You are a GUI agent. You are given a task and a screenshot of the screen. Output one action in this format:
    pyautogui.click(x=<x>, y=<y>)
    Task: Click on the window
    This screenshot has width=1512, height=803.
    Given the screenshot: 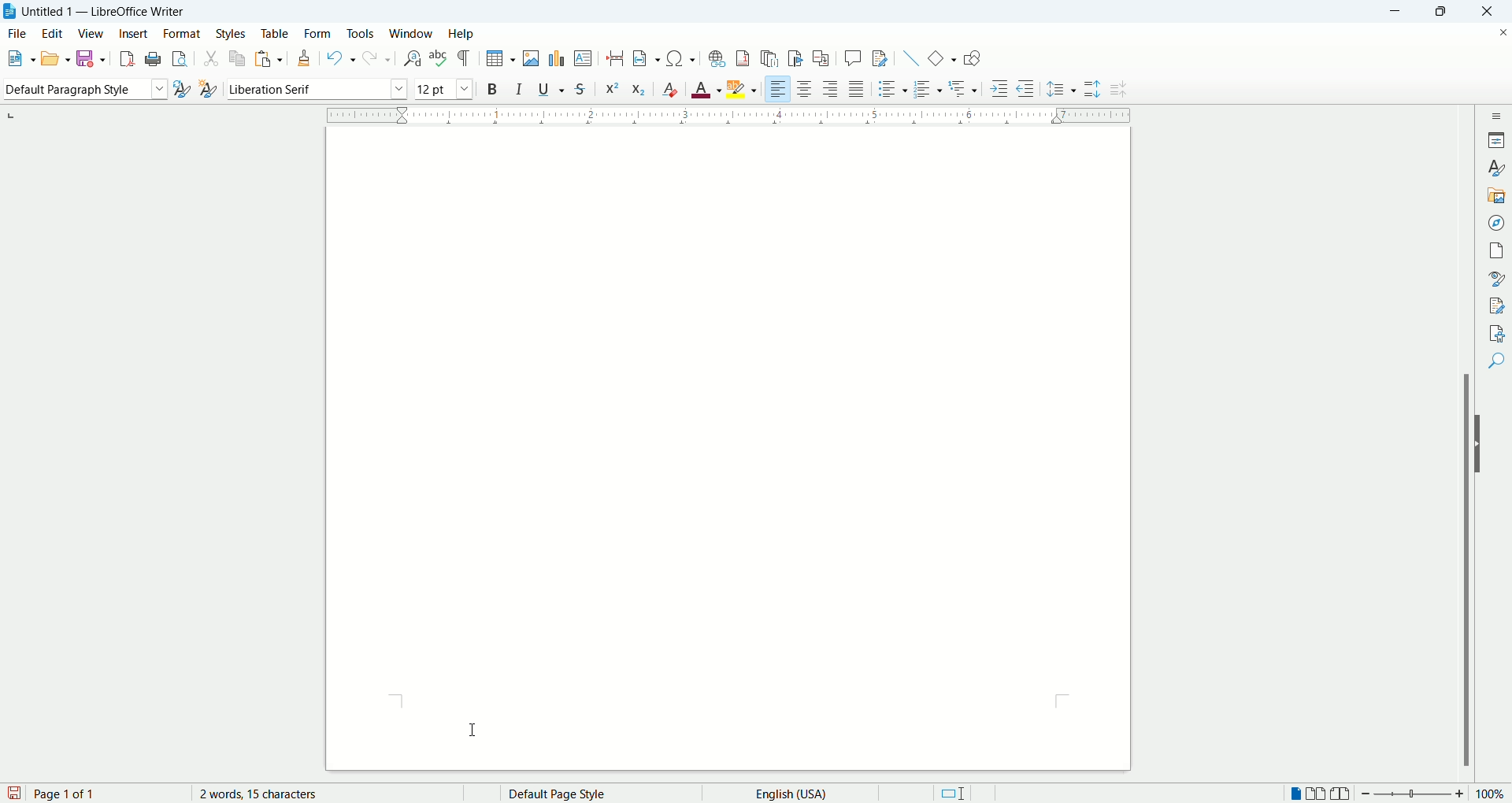 What is the action you would take?
    pyautogui.click(x=412, y=34)
    